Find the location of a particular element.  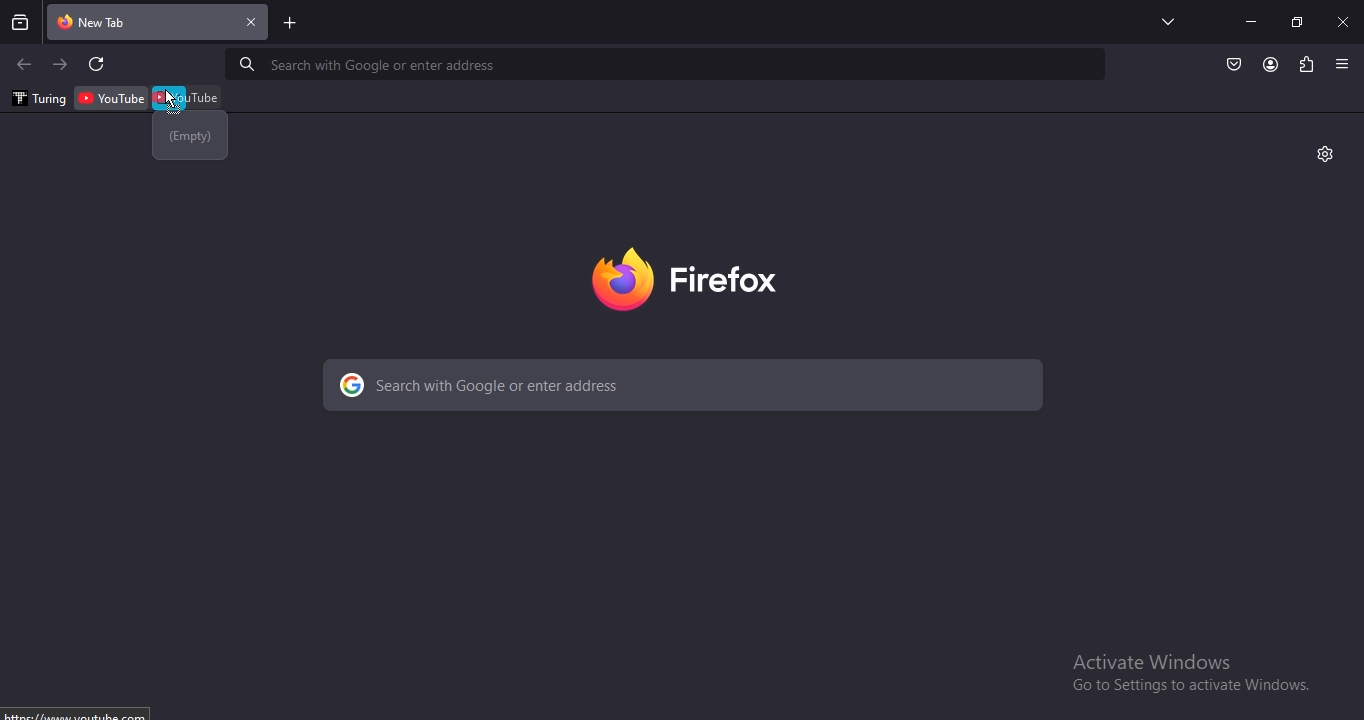

click to go to next page is located at coordinates (61, 64).